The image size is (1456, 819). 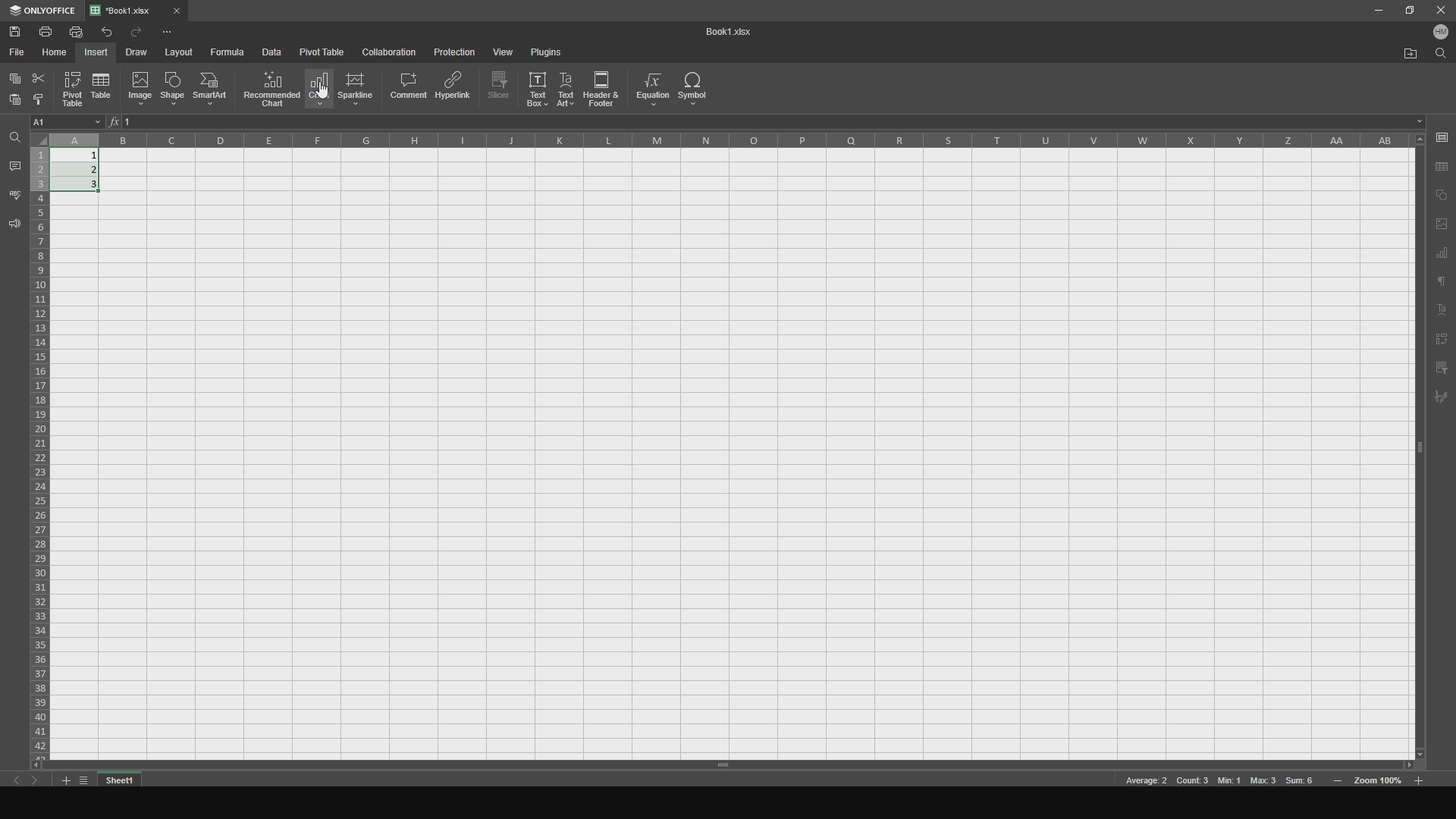 What do you see at coordinates (1439, 11) in the screenshot?
I see `close` at bounding box center [1439, 11].